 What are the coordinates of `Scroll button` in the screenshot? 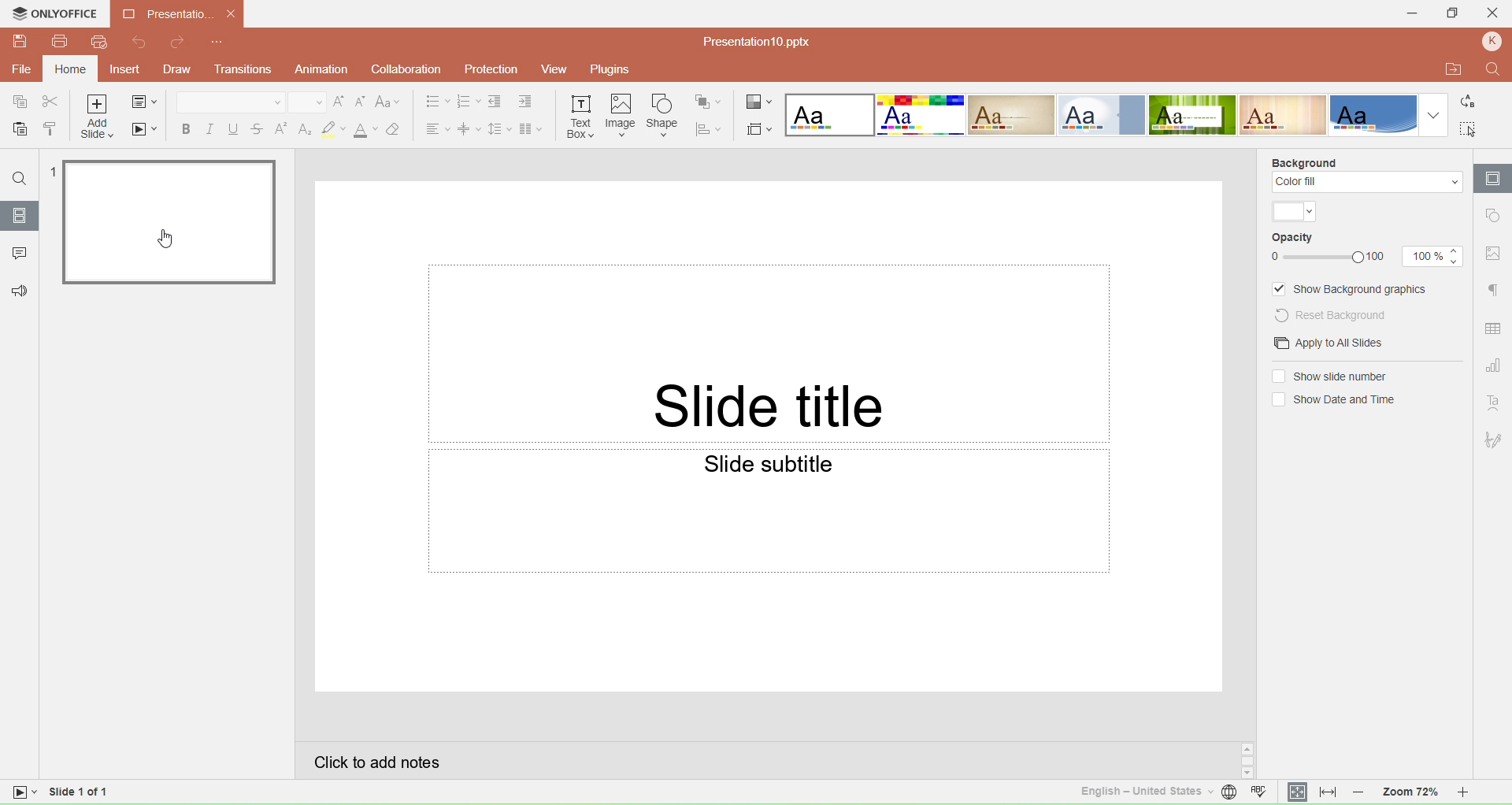 It's located at (1247, 760).